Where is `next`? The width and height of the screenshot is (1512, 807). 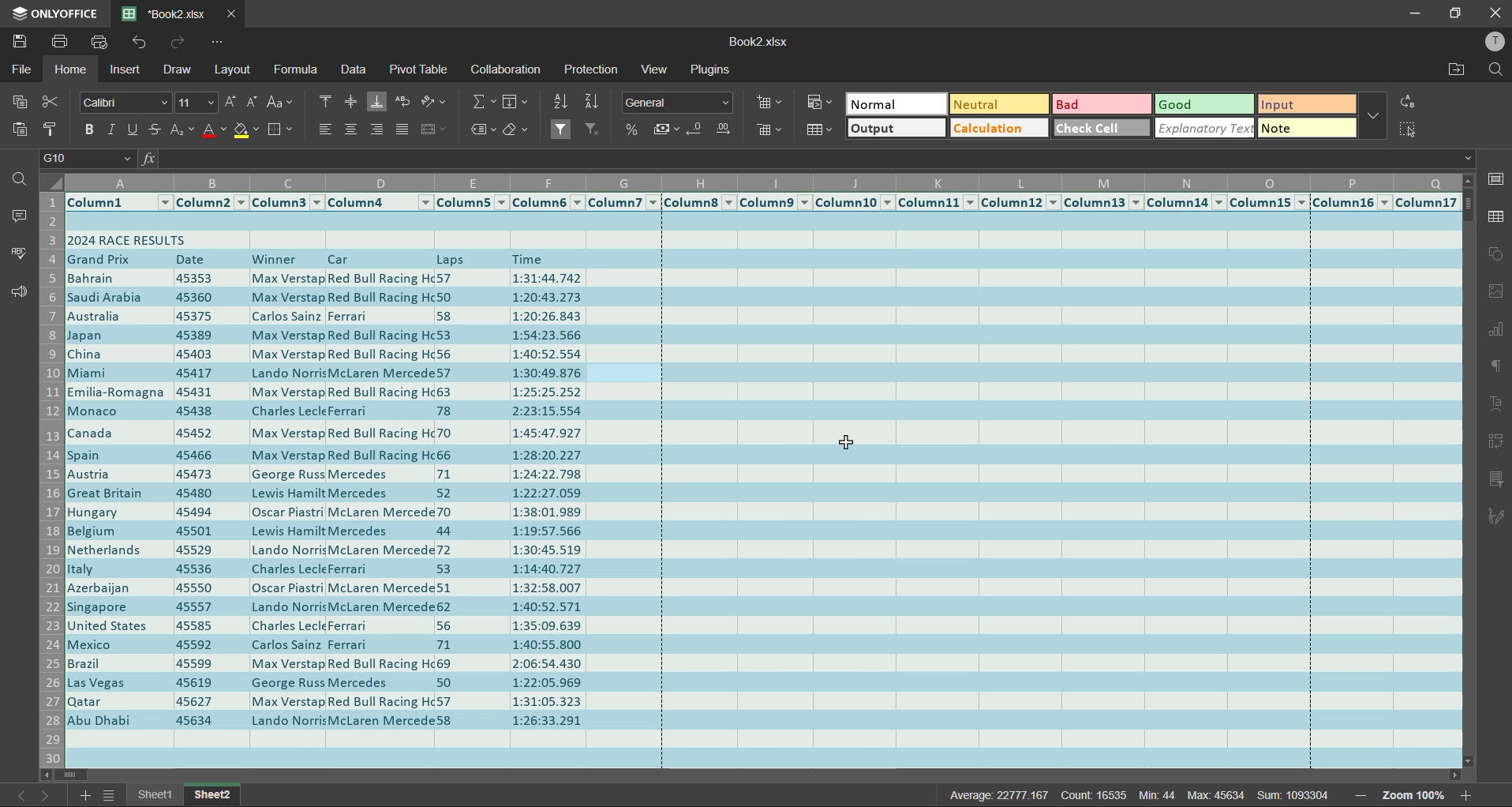 next is located at coordinates (47, 795).